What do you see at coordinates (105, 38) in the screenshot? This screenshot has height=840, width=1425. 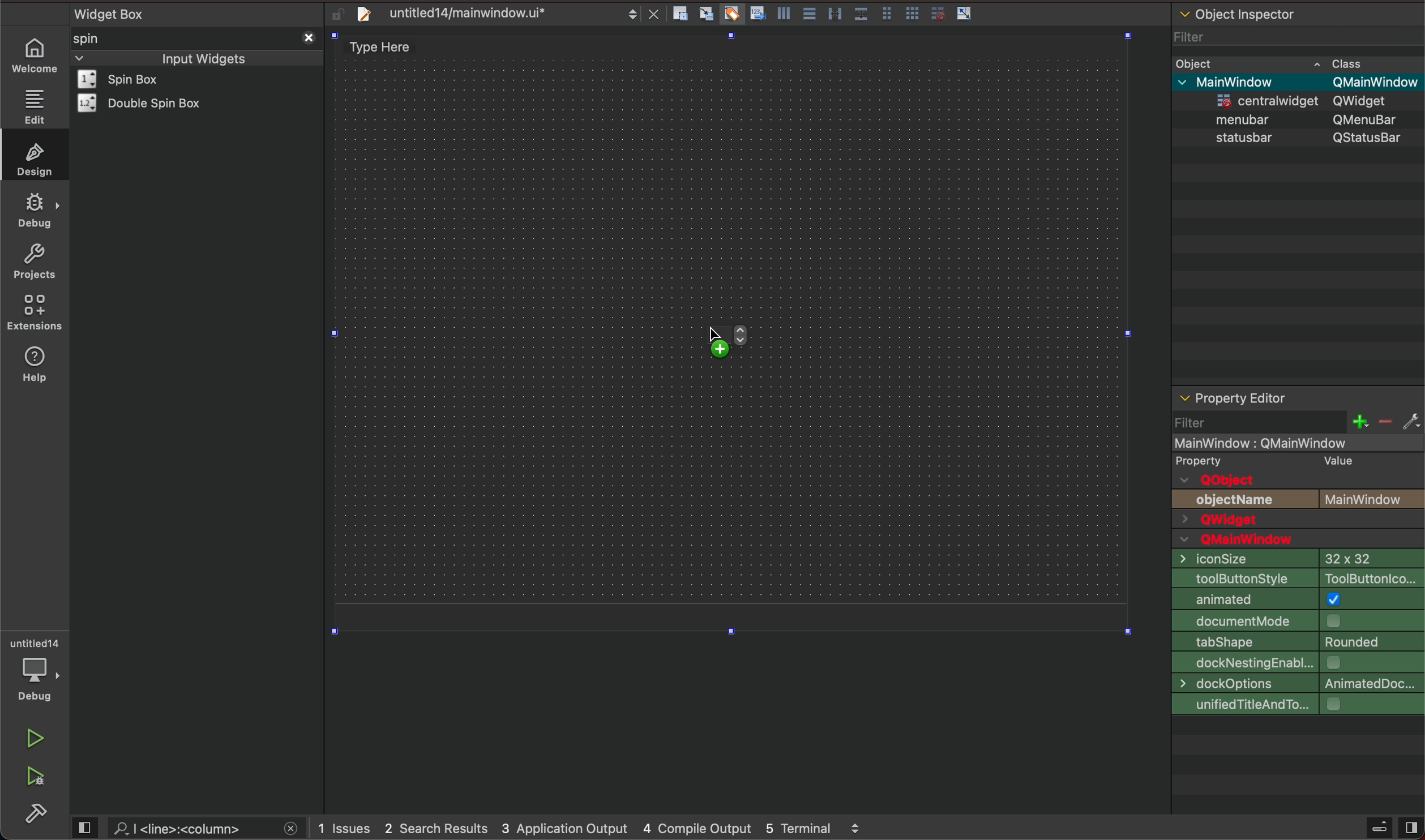 I see `spin` at bounding box center [105, 38].